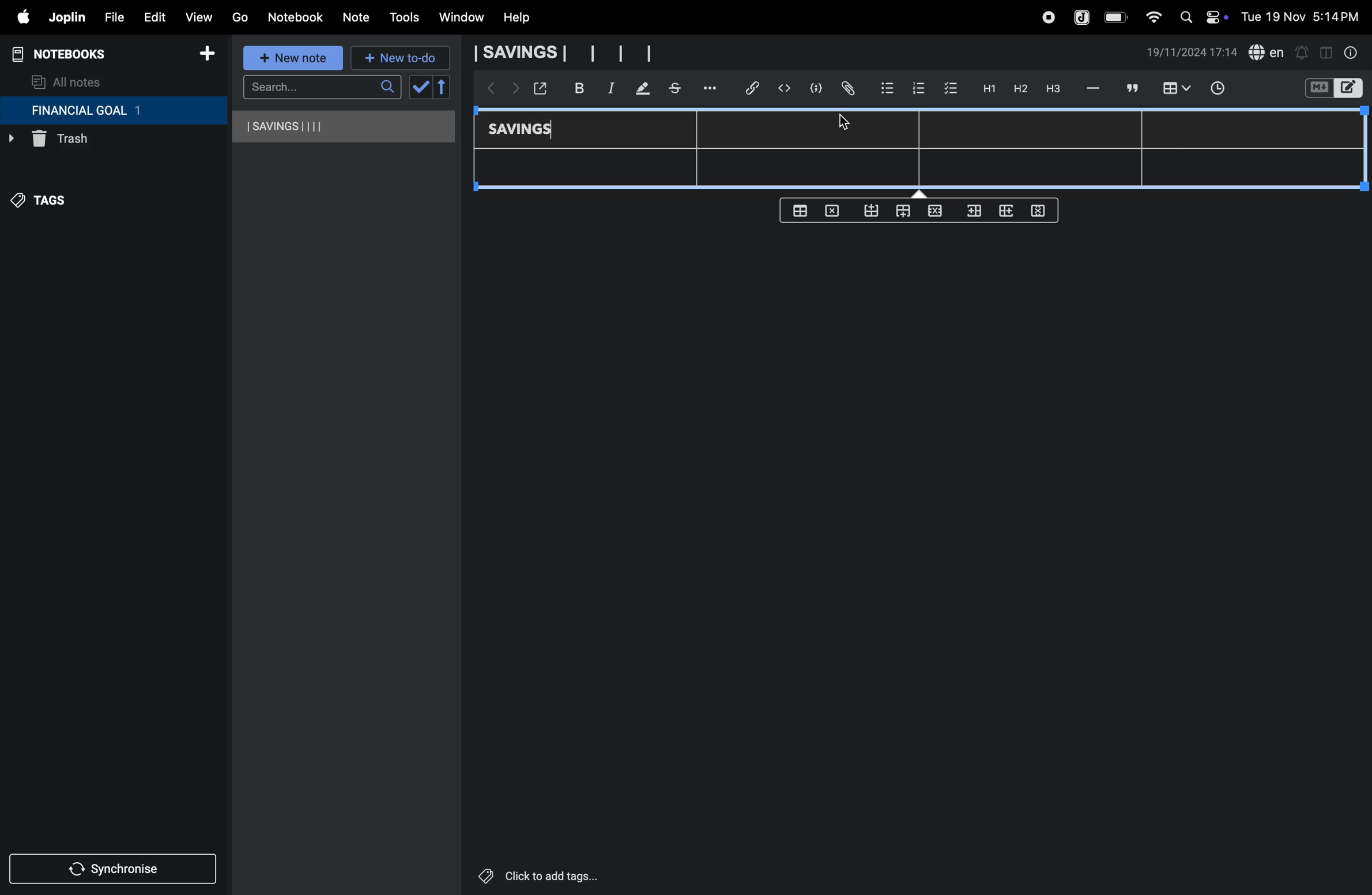  What do you see at coordinates (712, 88) in the screenshot?
I see `options` at bounding box center [712, 88].